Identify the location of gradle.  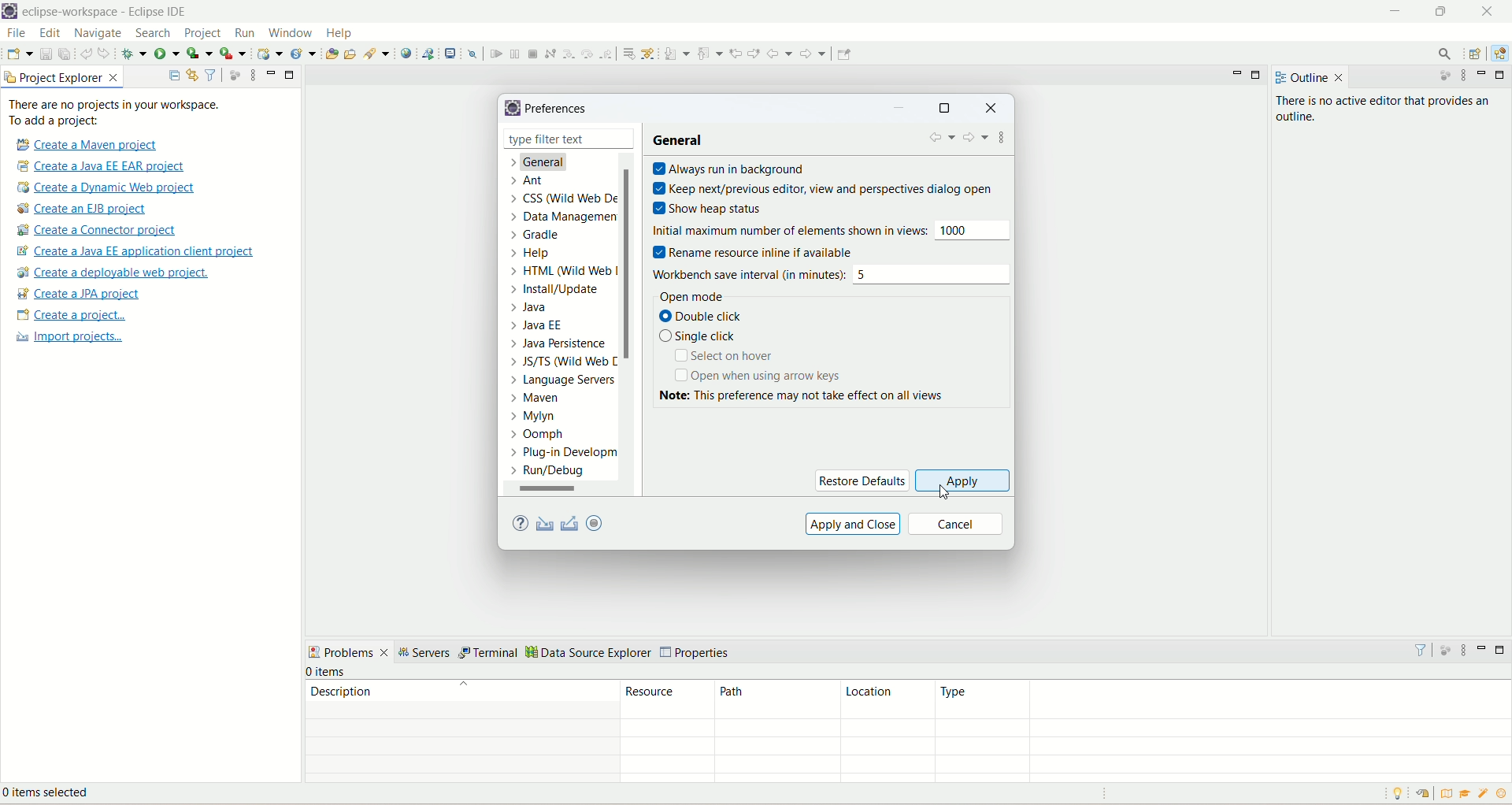
(540, 237).